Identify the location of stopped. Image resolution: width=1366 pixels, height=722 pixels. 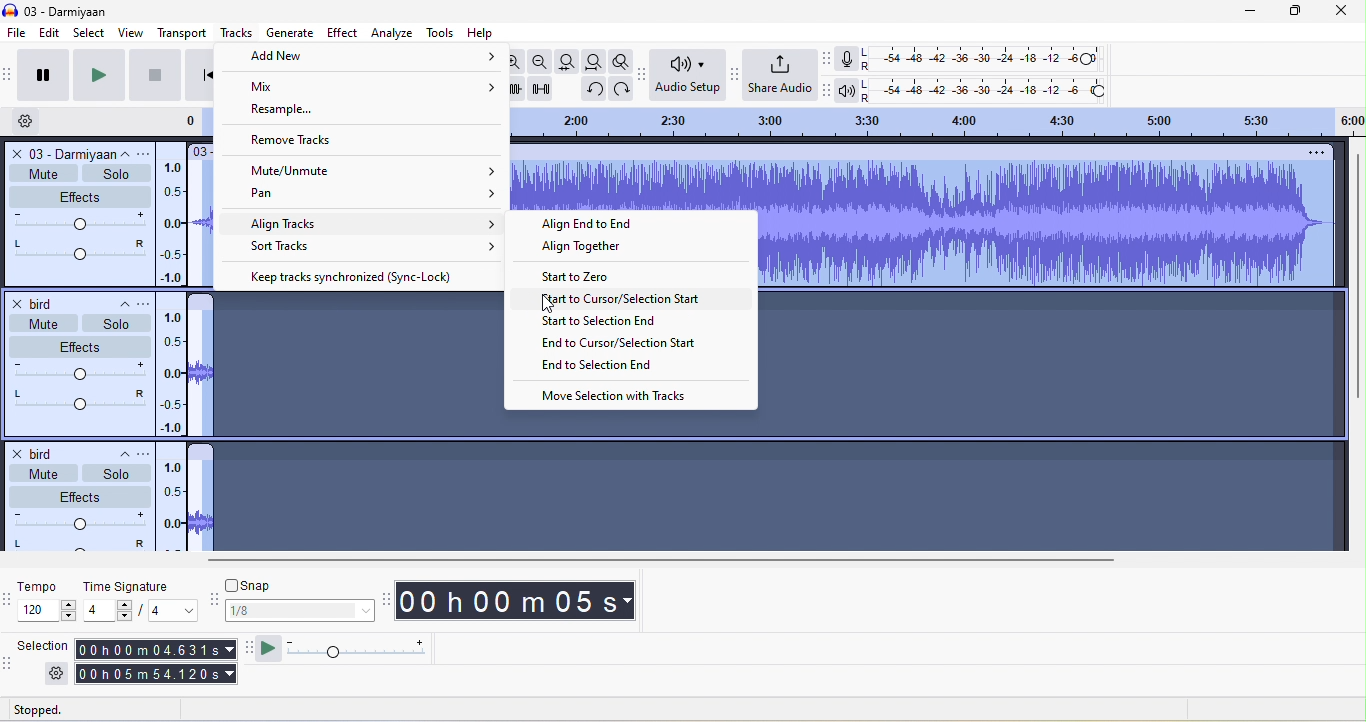
(61, 709).